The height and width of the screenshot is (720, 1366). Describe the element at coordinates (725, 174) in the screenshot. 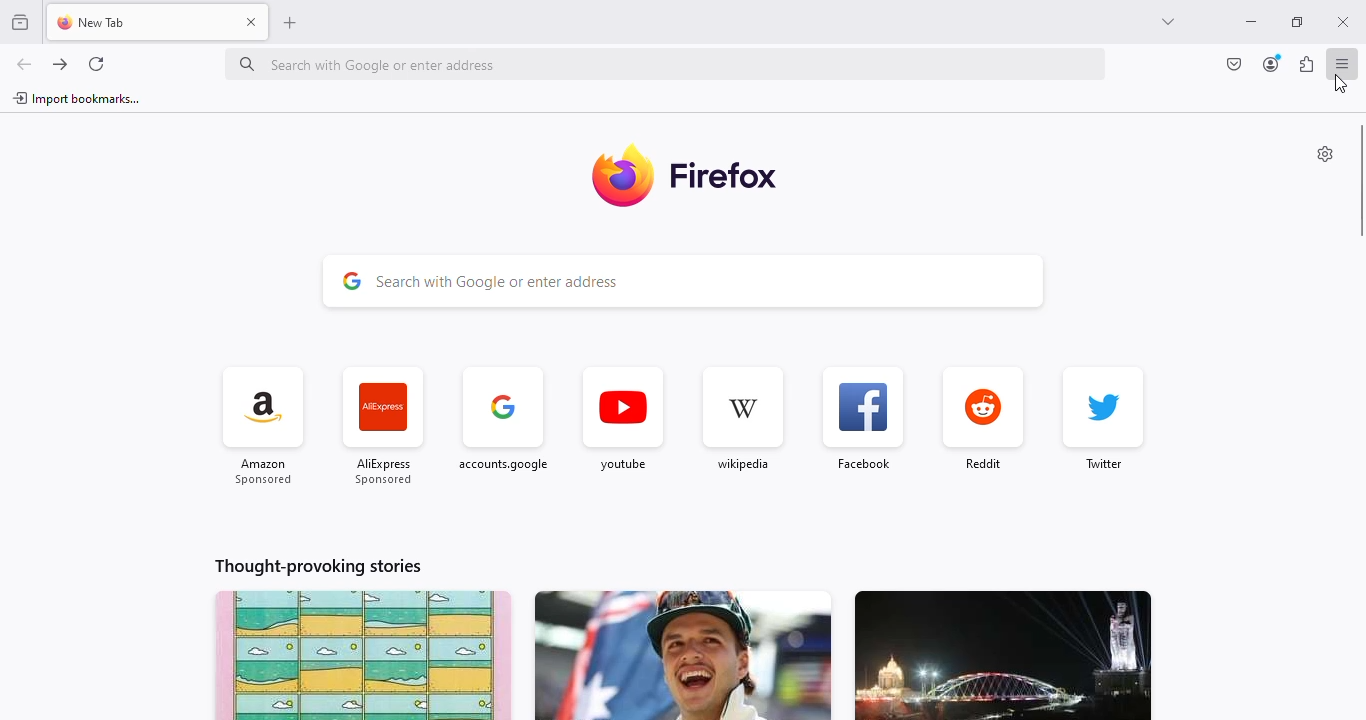

I see `firefox` at that location.